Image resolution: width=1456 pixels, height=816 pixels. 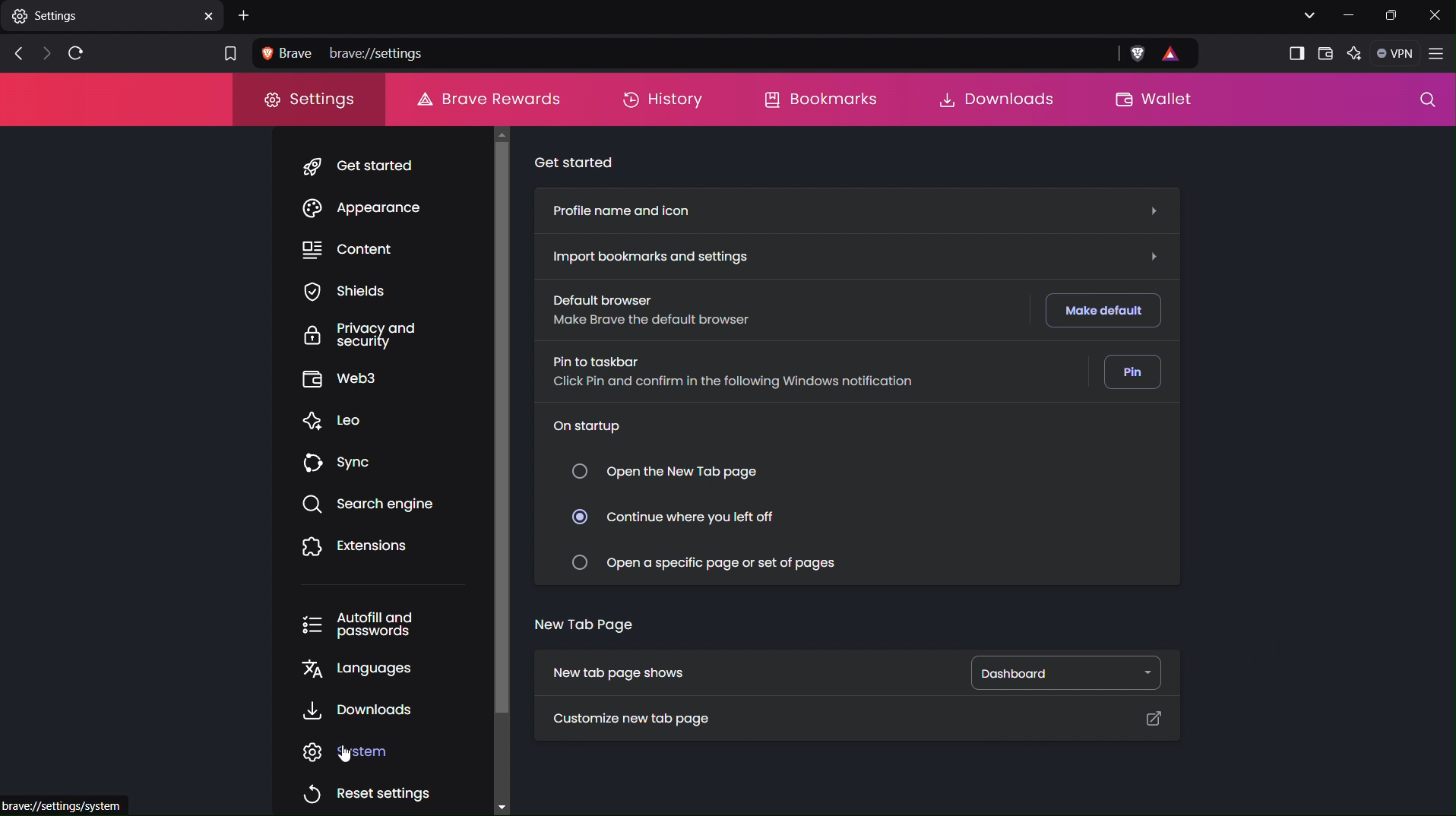 I want to click on Add New Tab, so click(x=246, y=14).